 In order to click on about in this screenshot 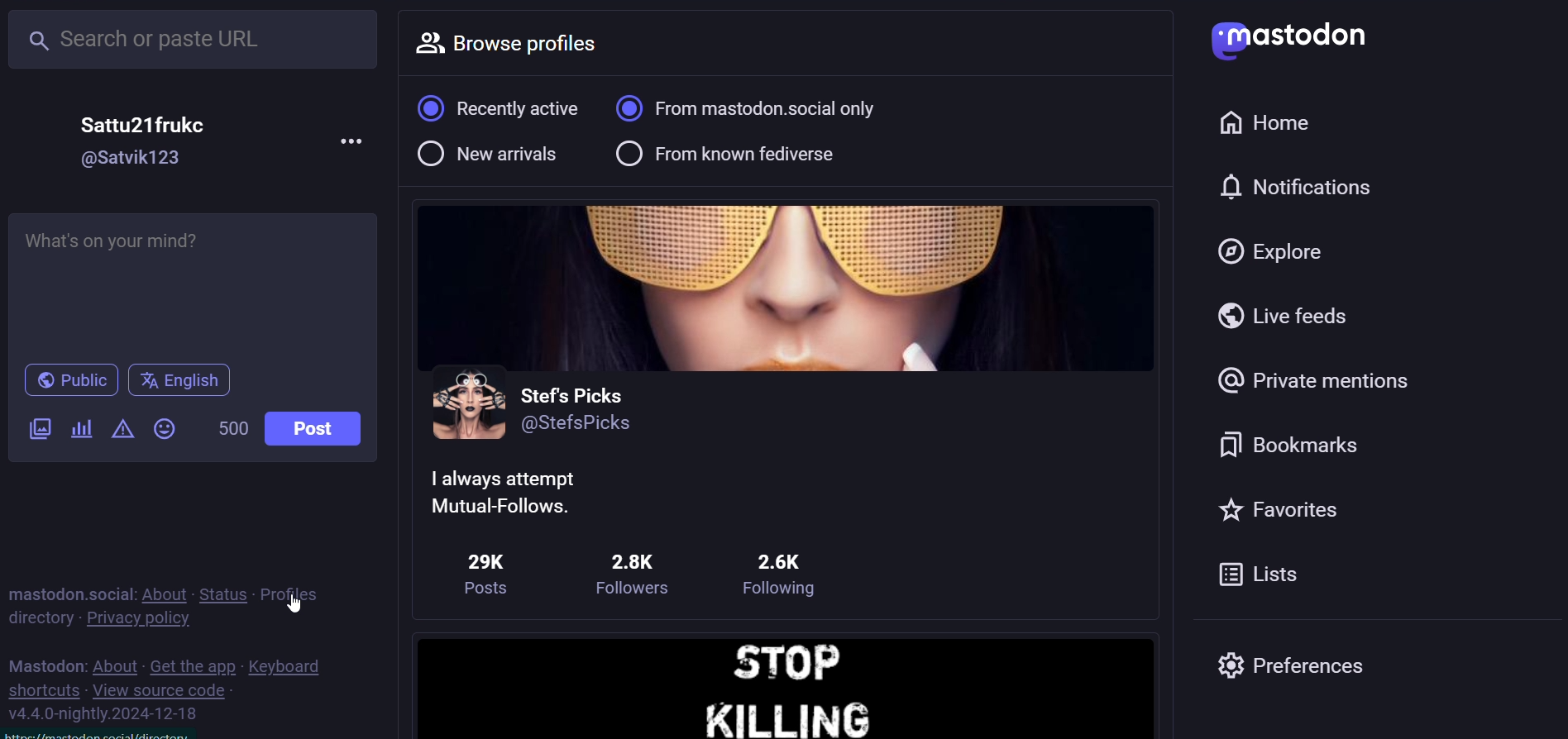, I will do `click(115, 667)`.